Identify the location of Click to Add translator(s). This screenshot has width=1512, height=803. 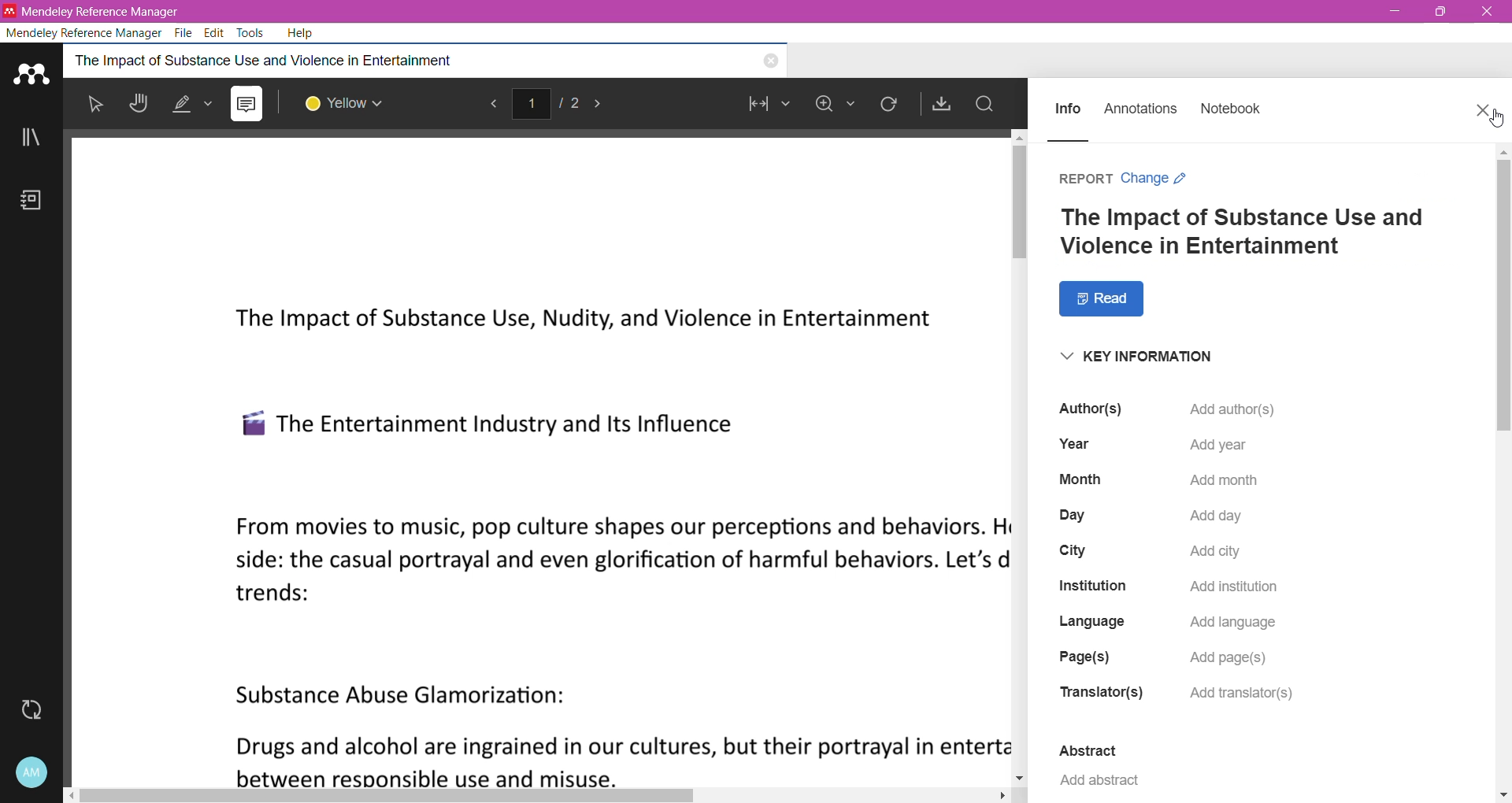
(1249, 692).